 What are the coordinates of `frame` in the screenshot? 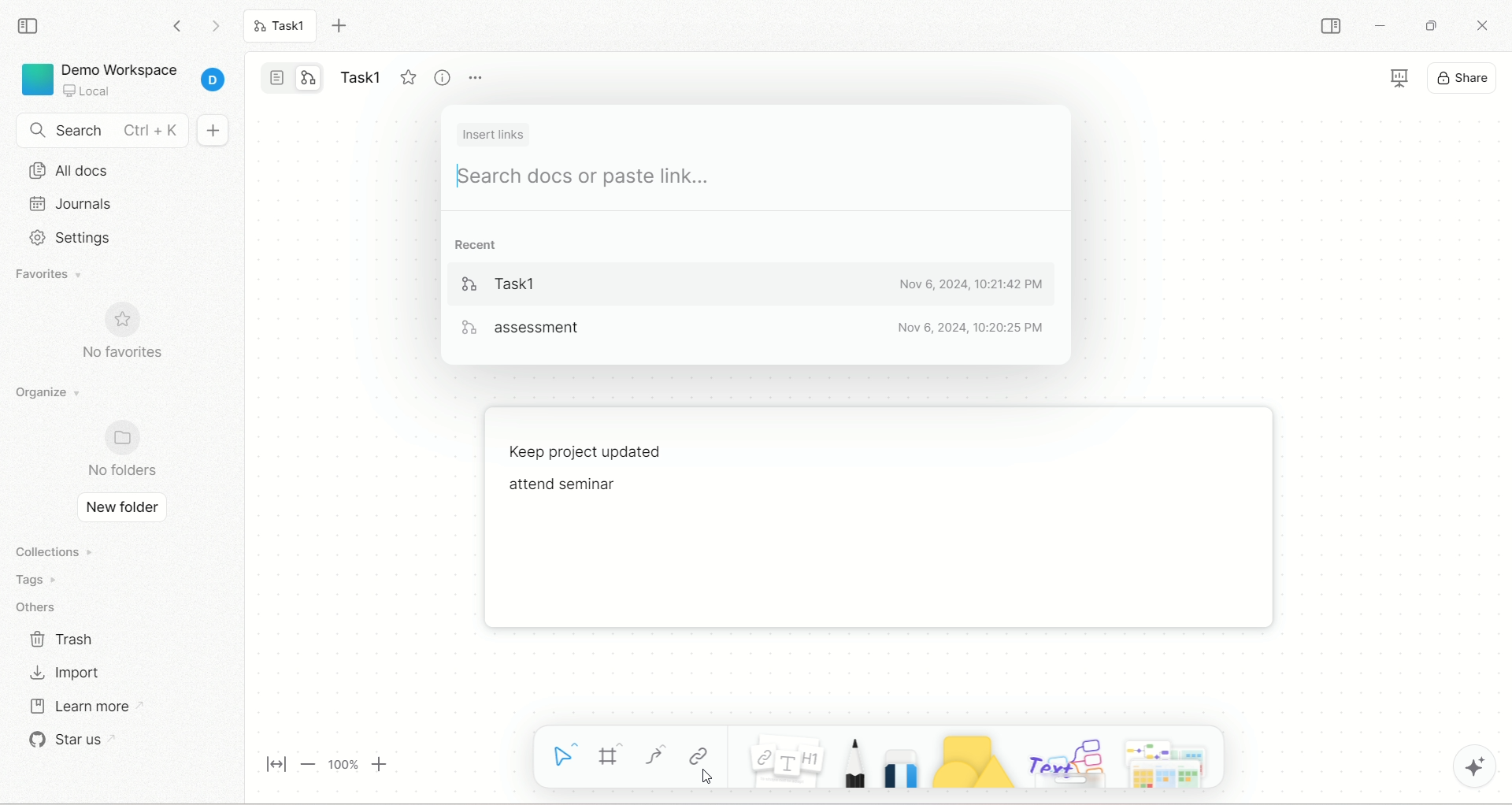 It's located at (610, 755).